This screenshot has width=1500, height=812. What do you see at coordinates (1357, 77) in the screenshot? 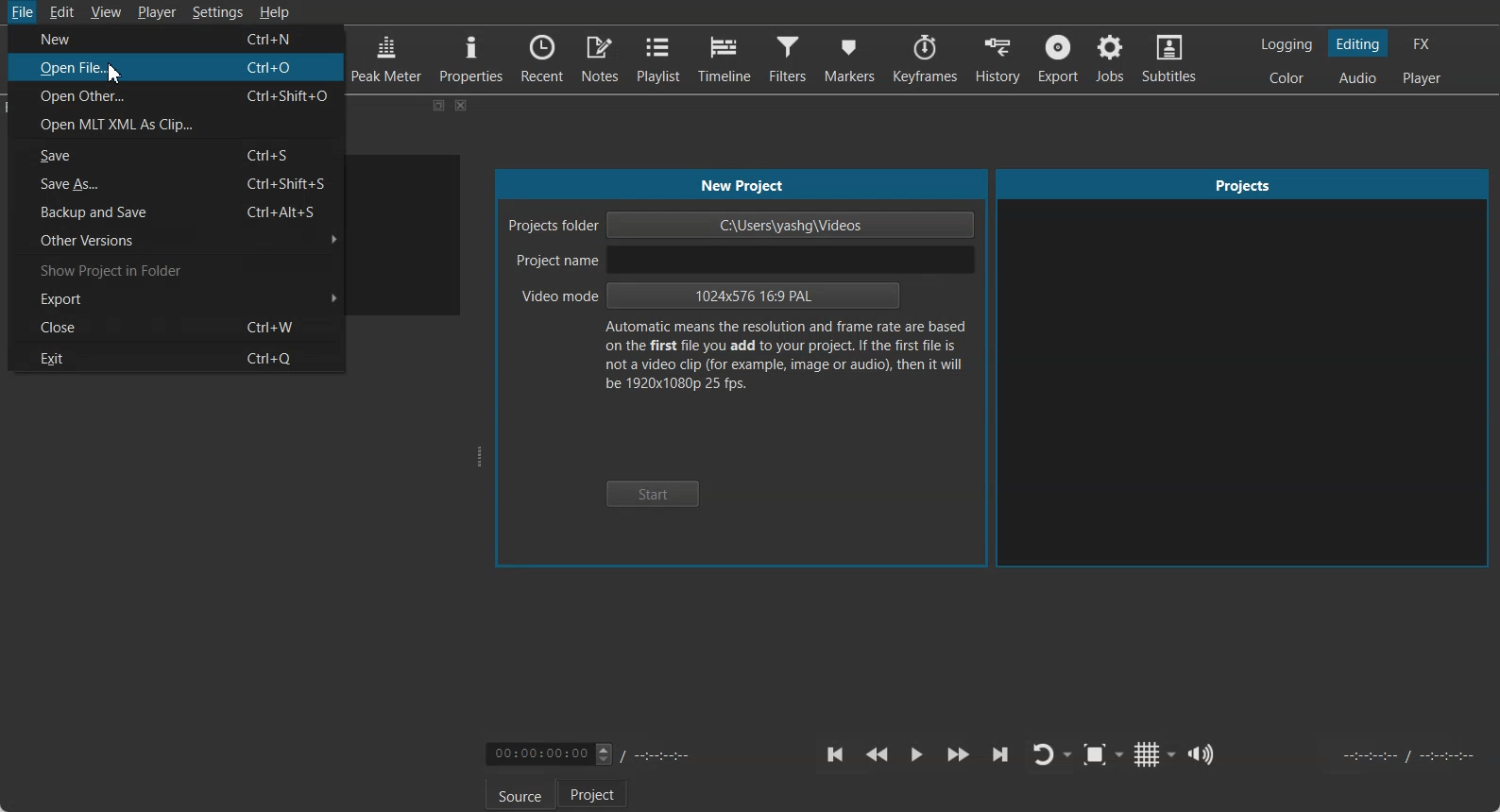
I see `Switch to the Audio layout` at bounding box center [1357, 77].